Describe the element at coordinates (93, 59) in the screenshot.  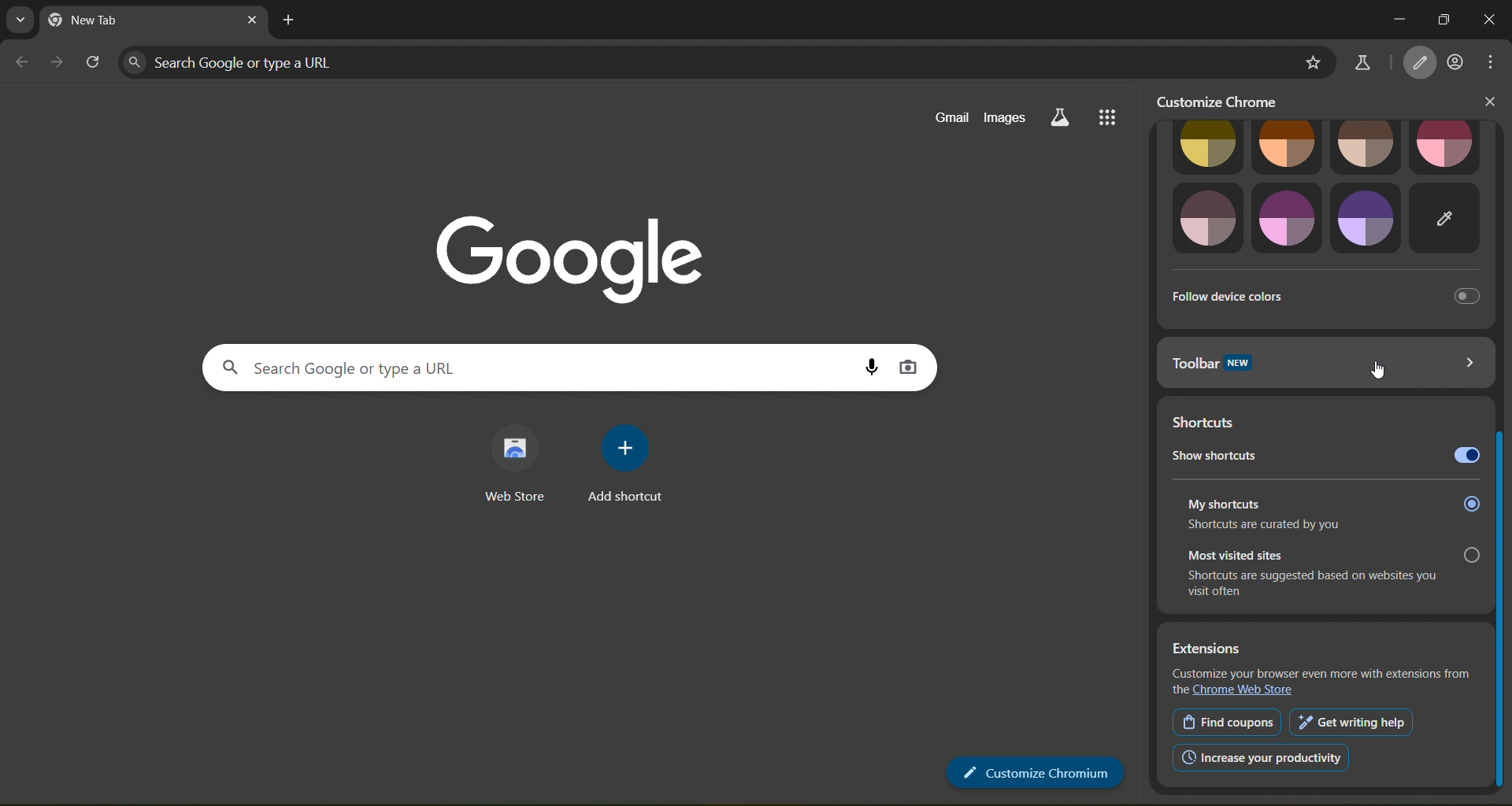
I see `reload page` at that location.